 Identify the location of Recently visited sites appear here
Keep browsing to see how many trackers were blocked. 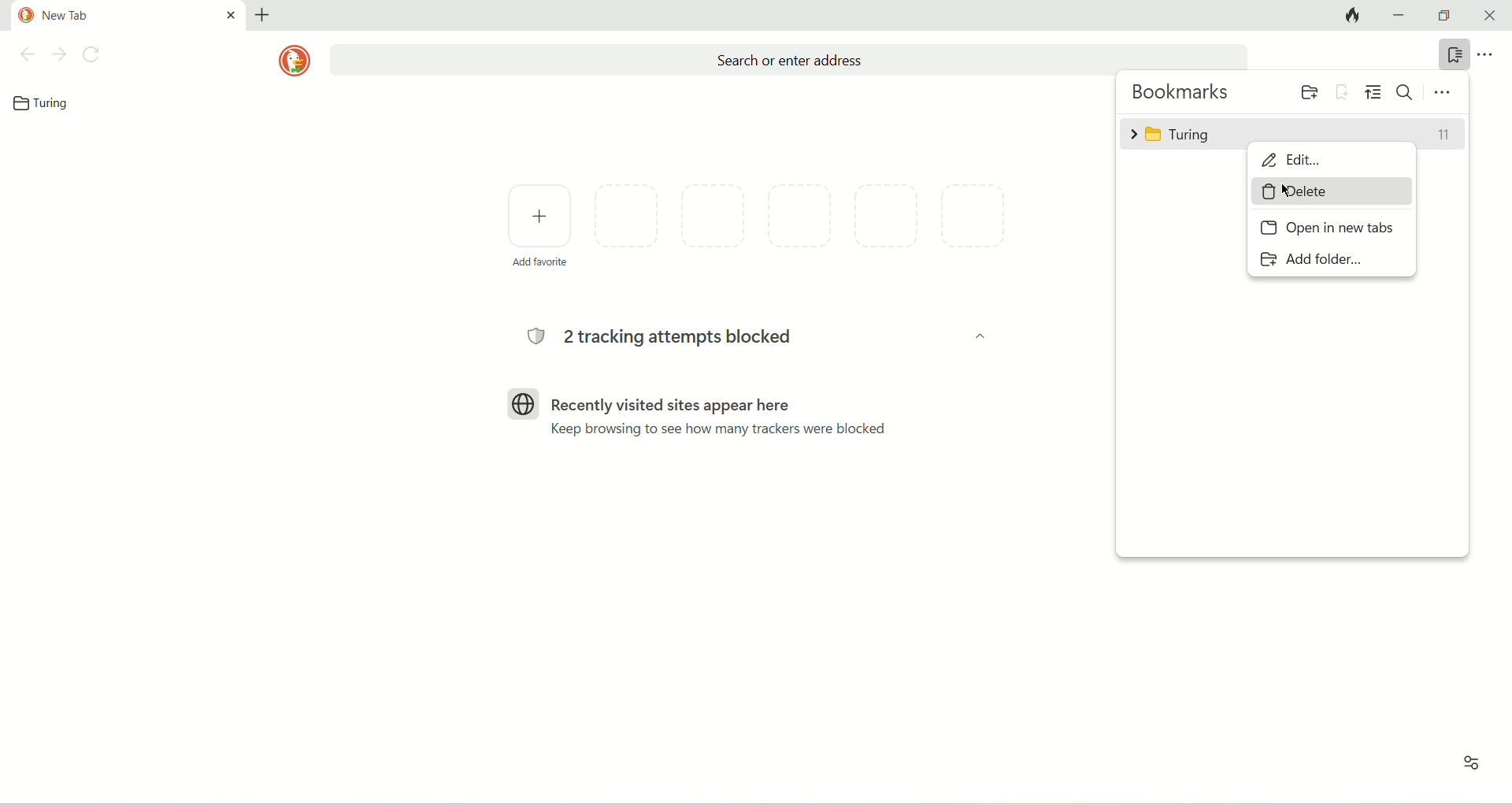
(725, 415).